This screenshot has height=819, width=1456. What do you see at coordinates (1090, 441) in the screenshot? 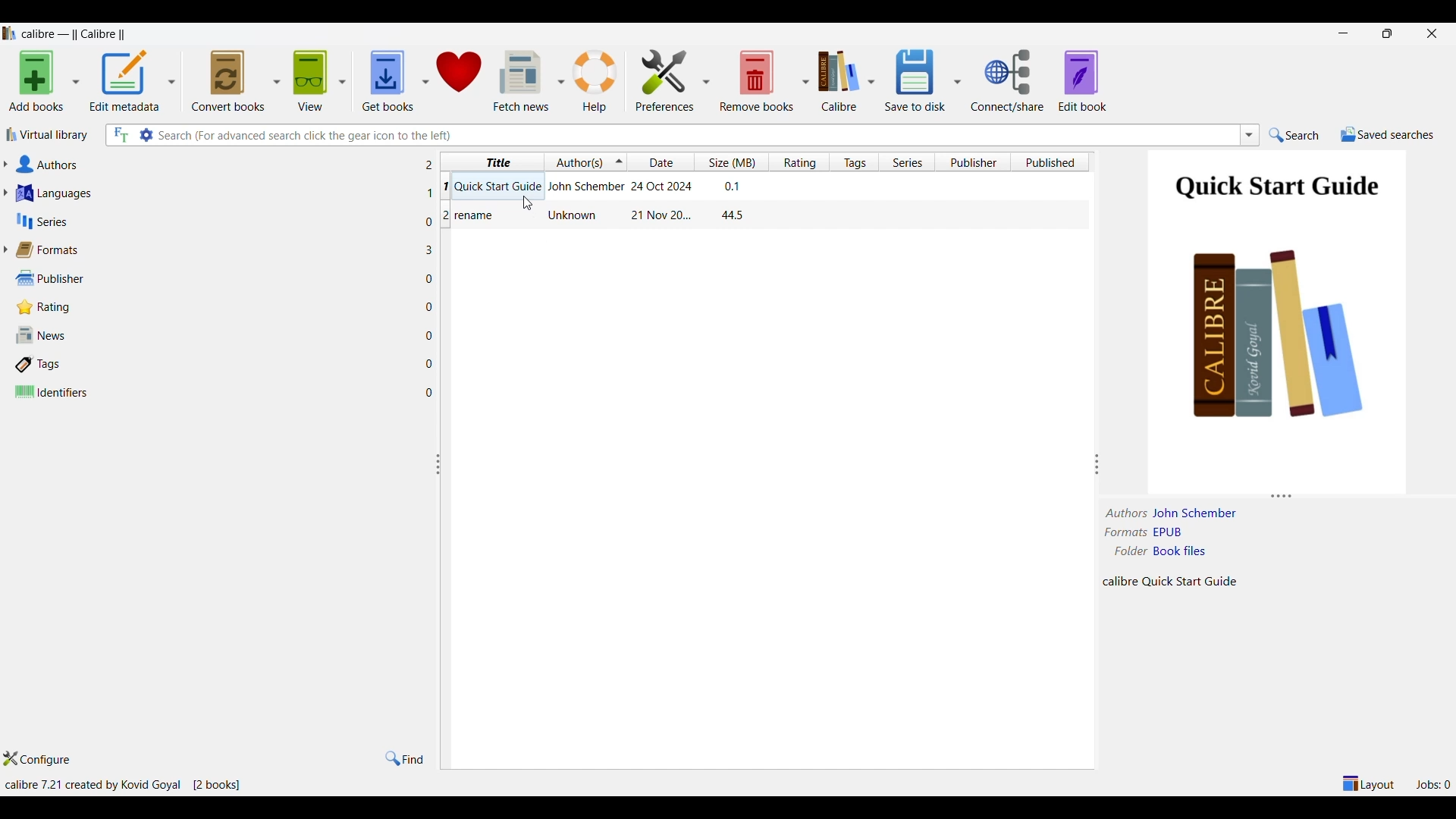
I see `Change width of panels attached` at bounding box center [1090, 441].